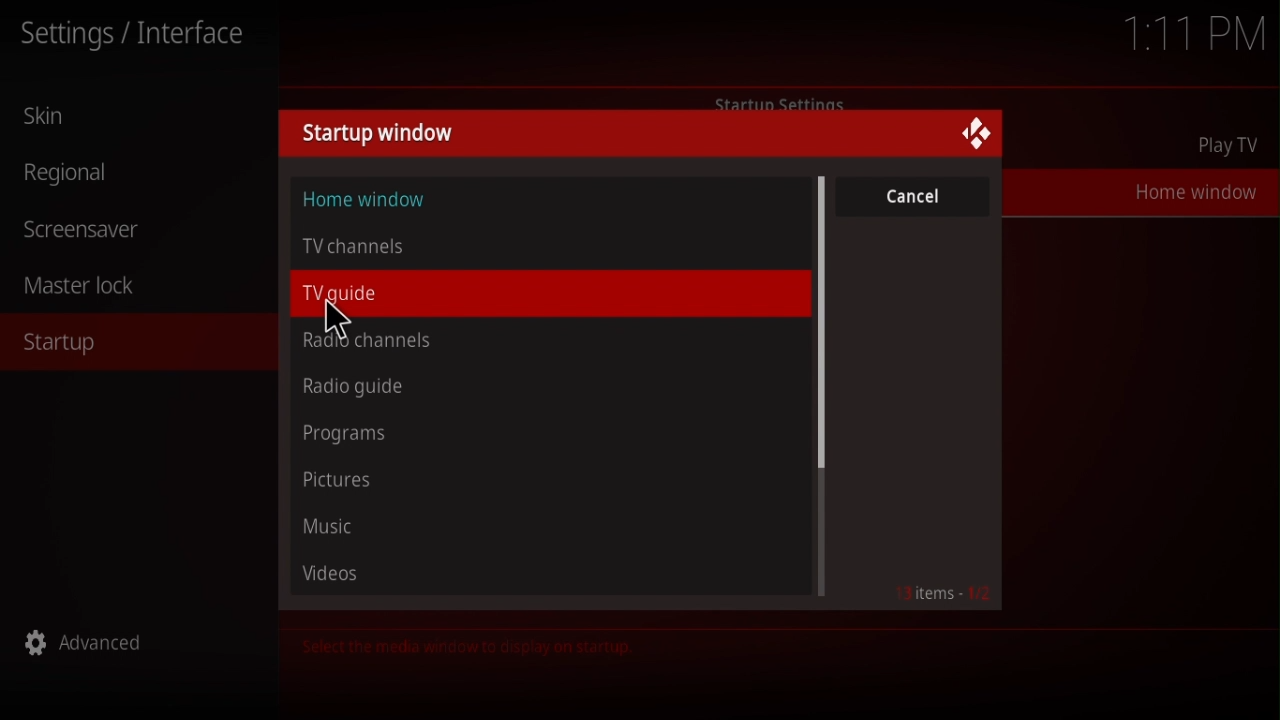 This screenshot has height=720, width=1280. What do you see at coordinates (1190, 189) in the screenshot?
I see `home window` at bounding box center [1190, 189].